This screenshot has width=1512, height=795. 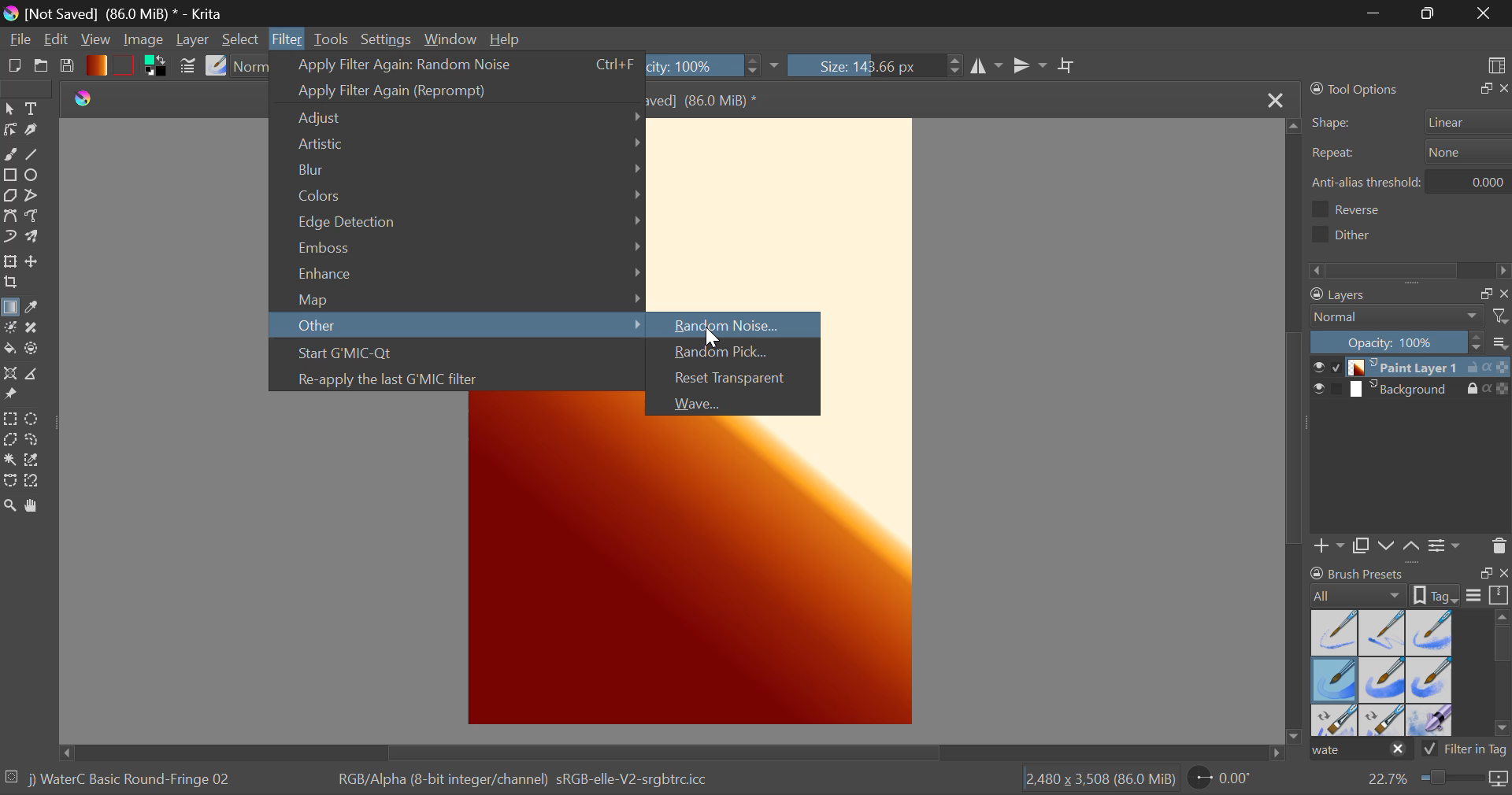 I want to click on File, so click(x=18, y=38).